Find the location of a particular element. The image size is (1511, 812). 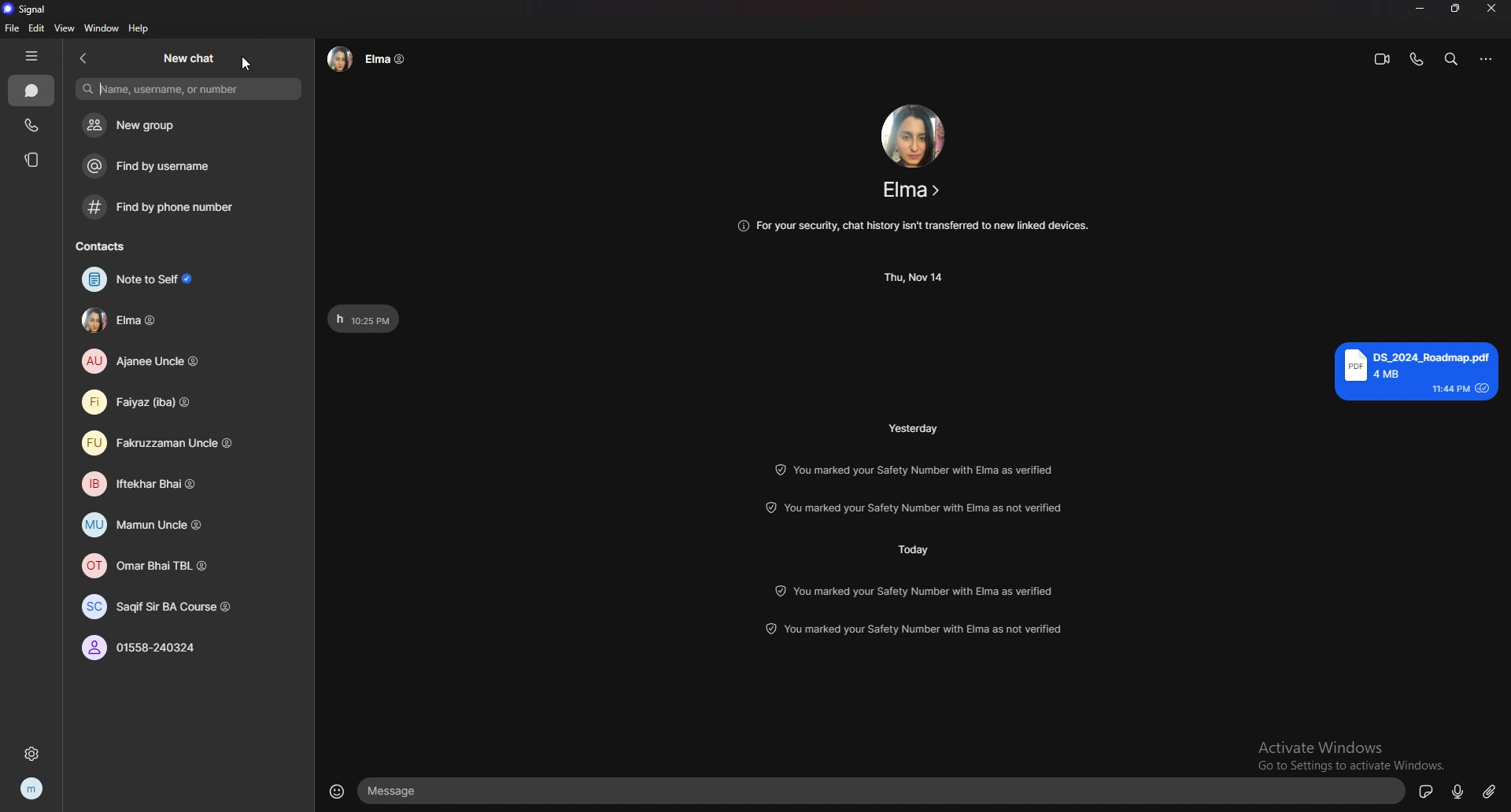

profile is located at coordinates (33, 788).